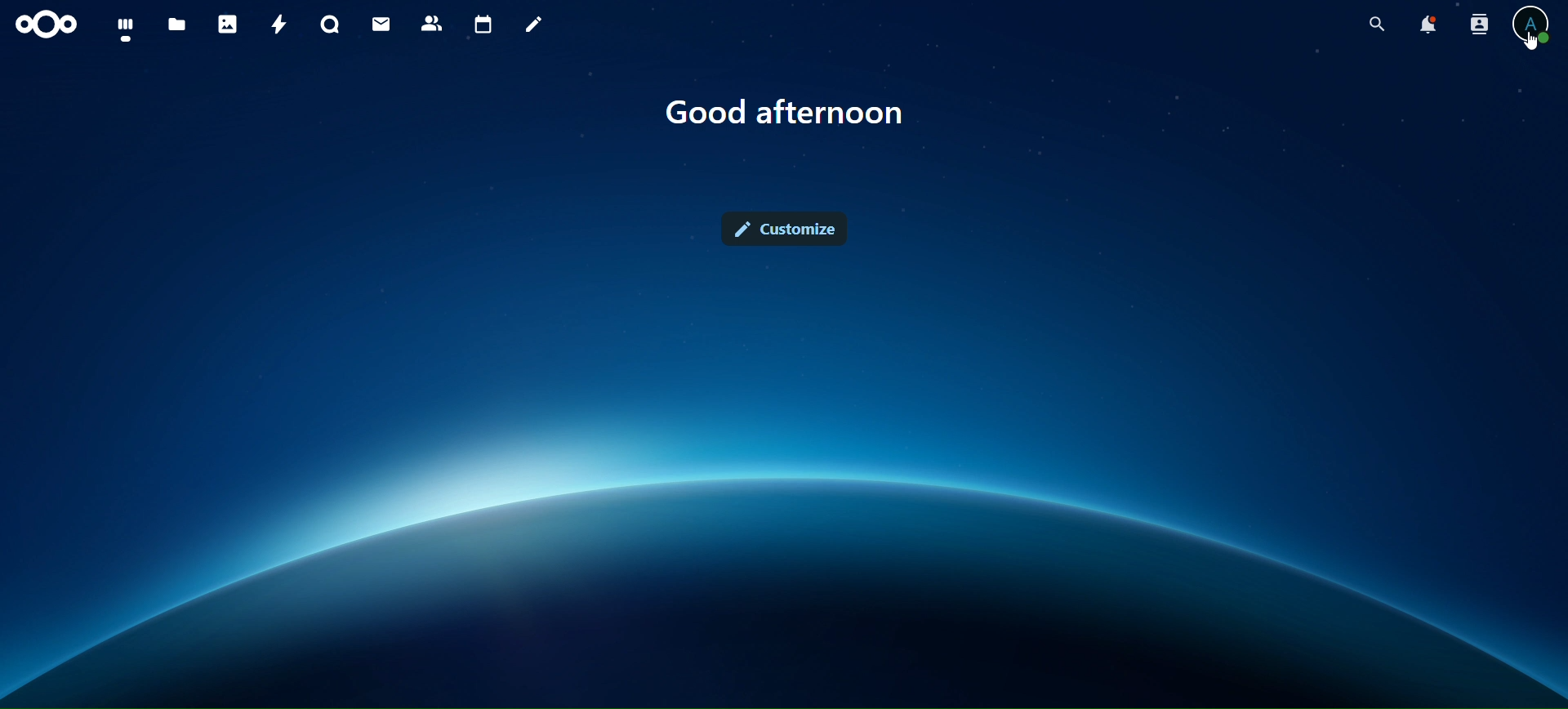 This screenshot has width=1568, height=709. I want to click on Cursor, so click(1532, 43).